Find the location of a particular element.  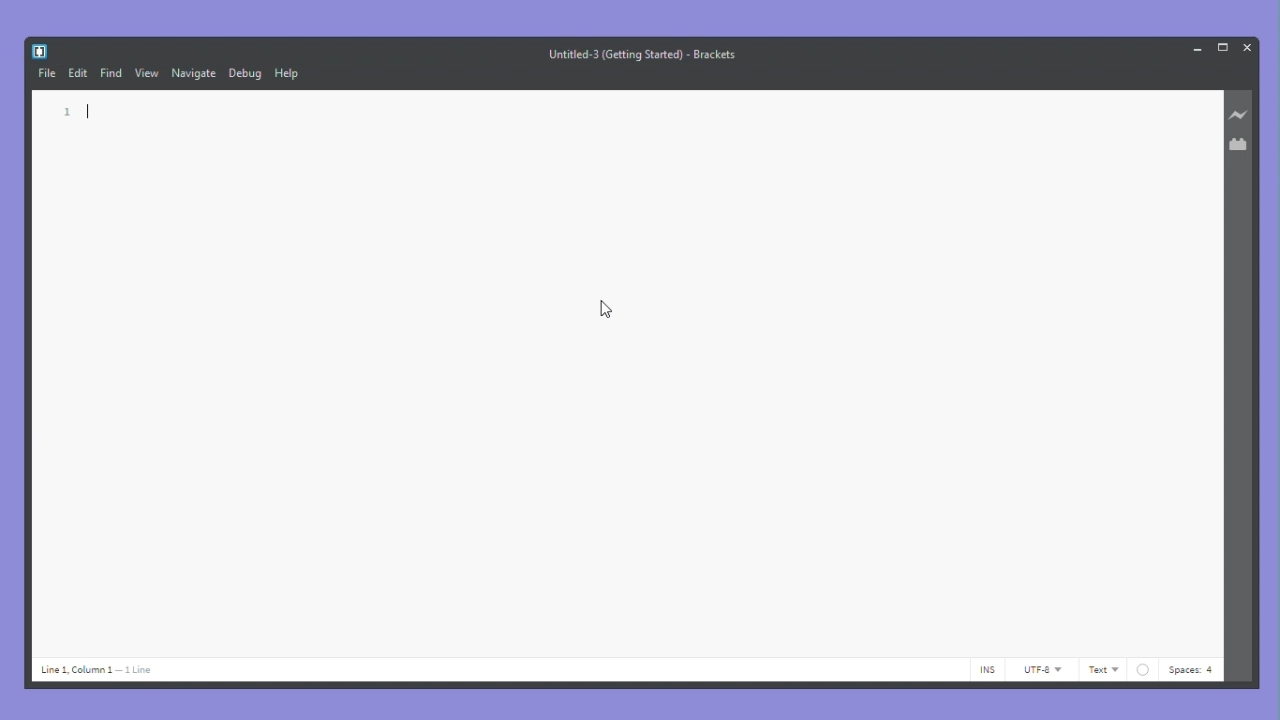

file is located at coordinates (45, 76).